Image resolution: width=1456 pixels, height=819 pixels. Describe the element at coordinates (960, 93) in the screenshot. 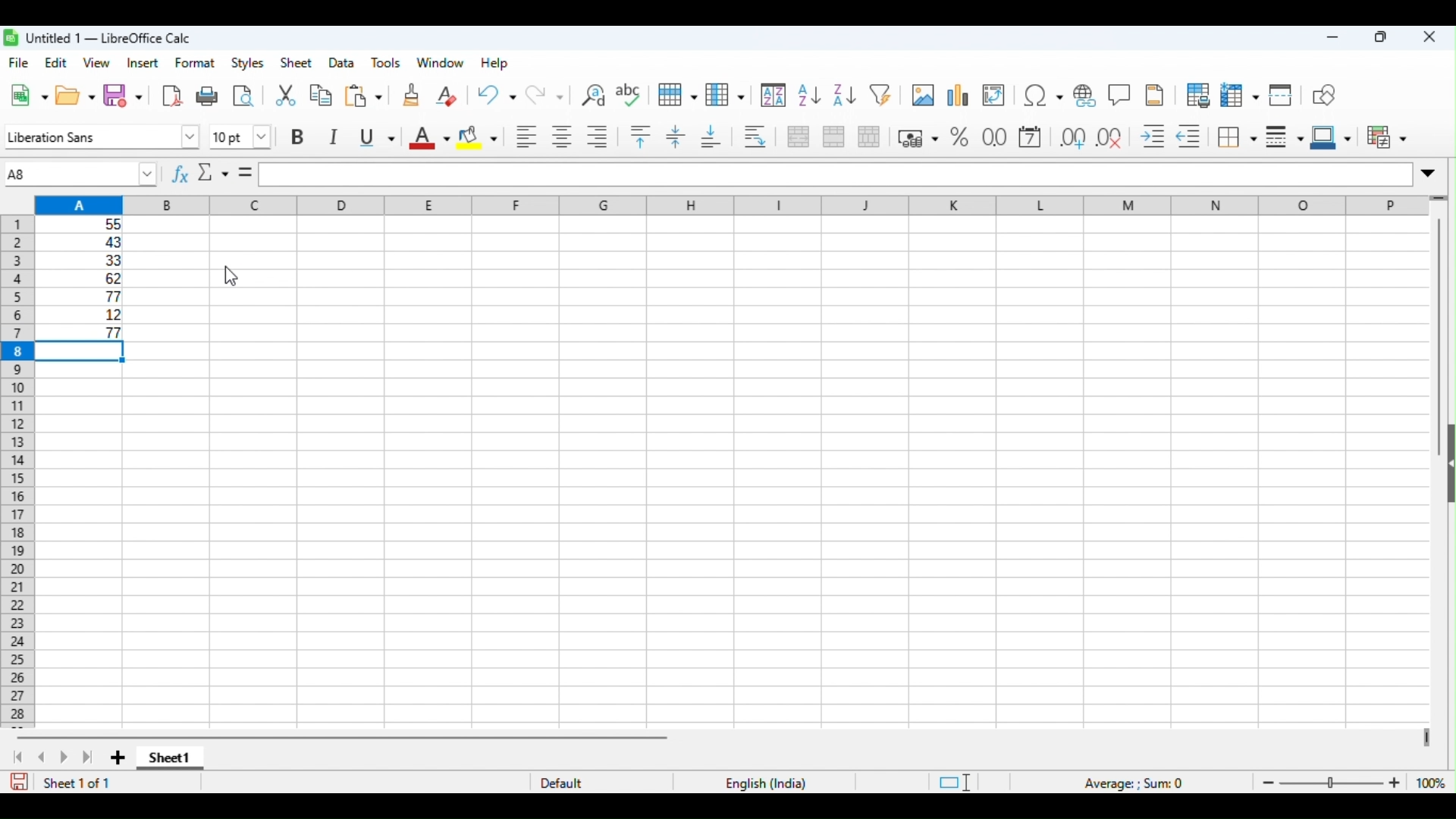

I see `insert chart` at that location.